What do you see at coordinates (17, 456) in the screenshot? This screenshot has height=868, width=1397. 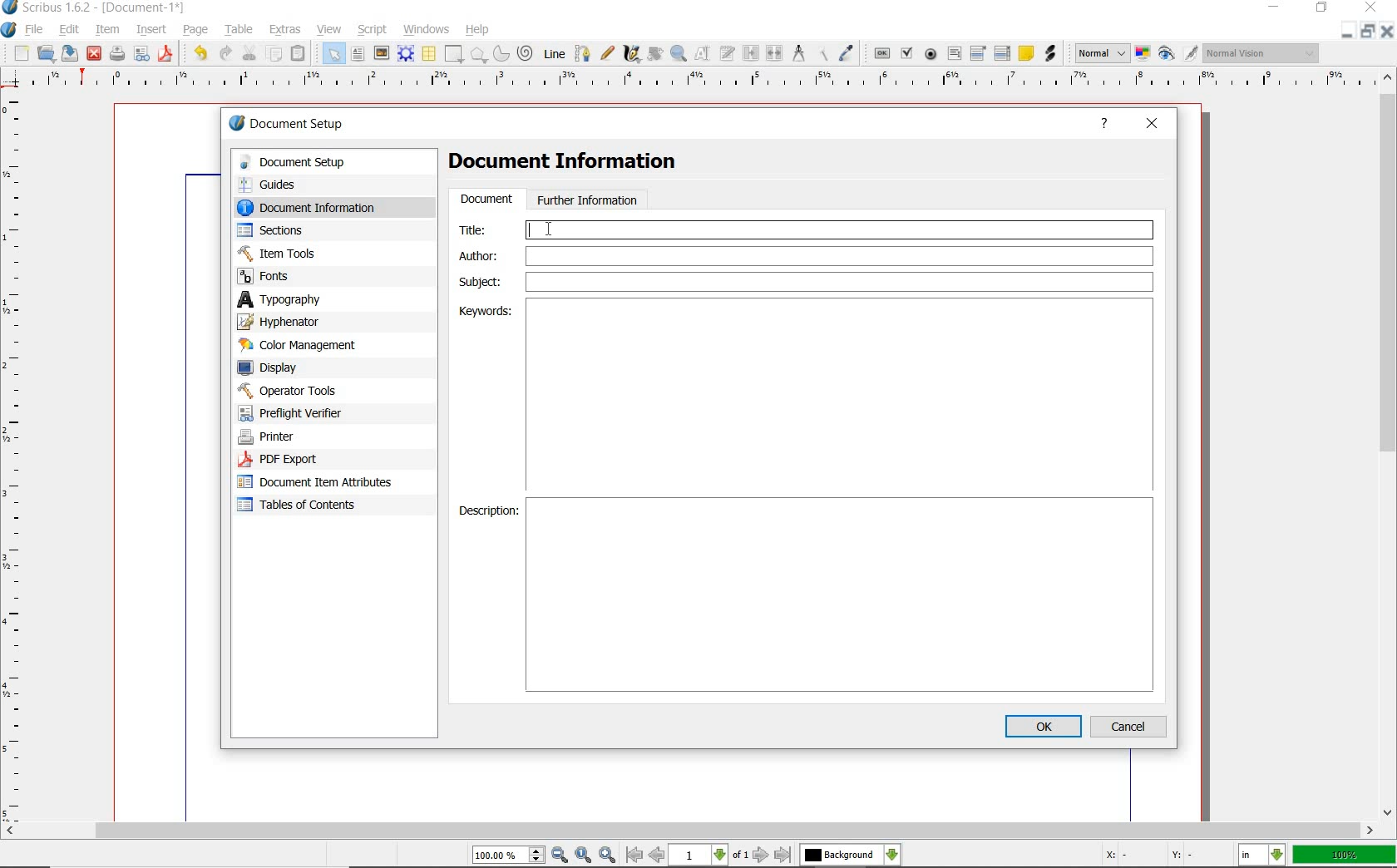 I see `ruler` at bounding box center [17, 456].